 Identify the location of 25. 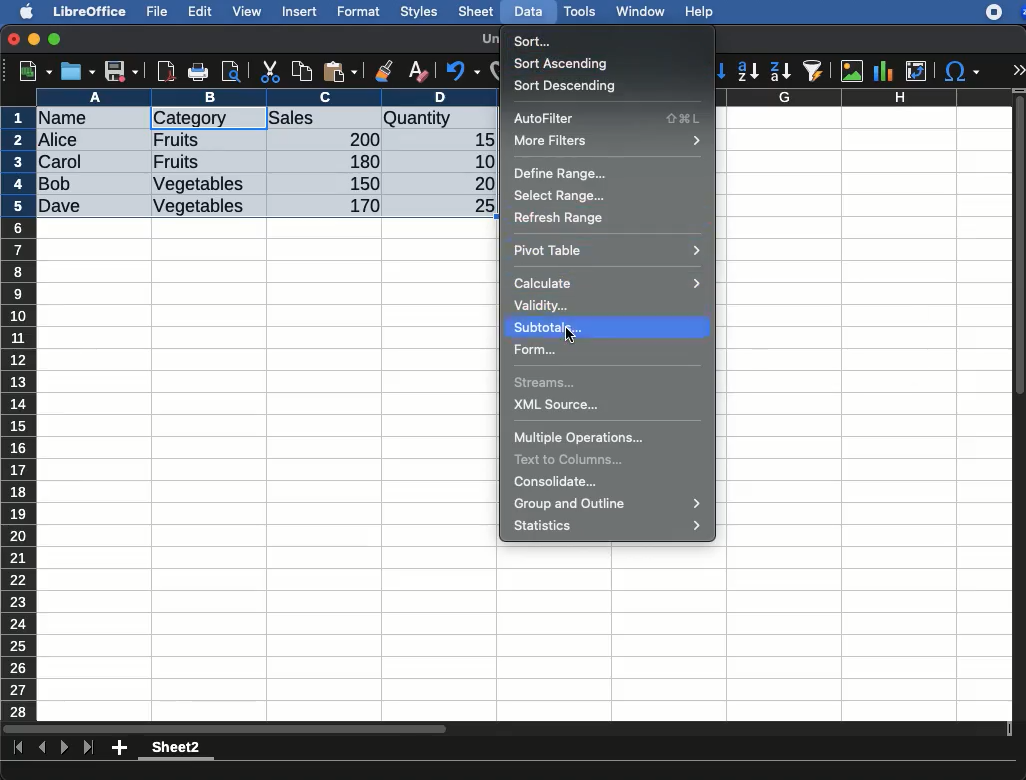
(477, 204).